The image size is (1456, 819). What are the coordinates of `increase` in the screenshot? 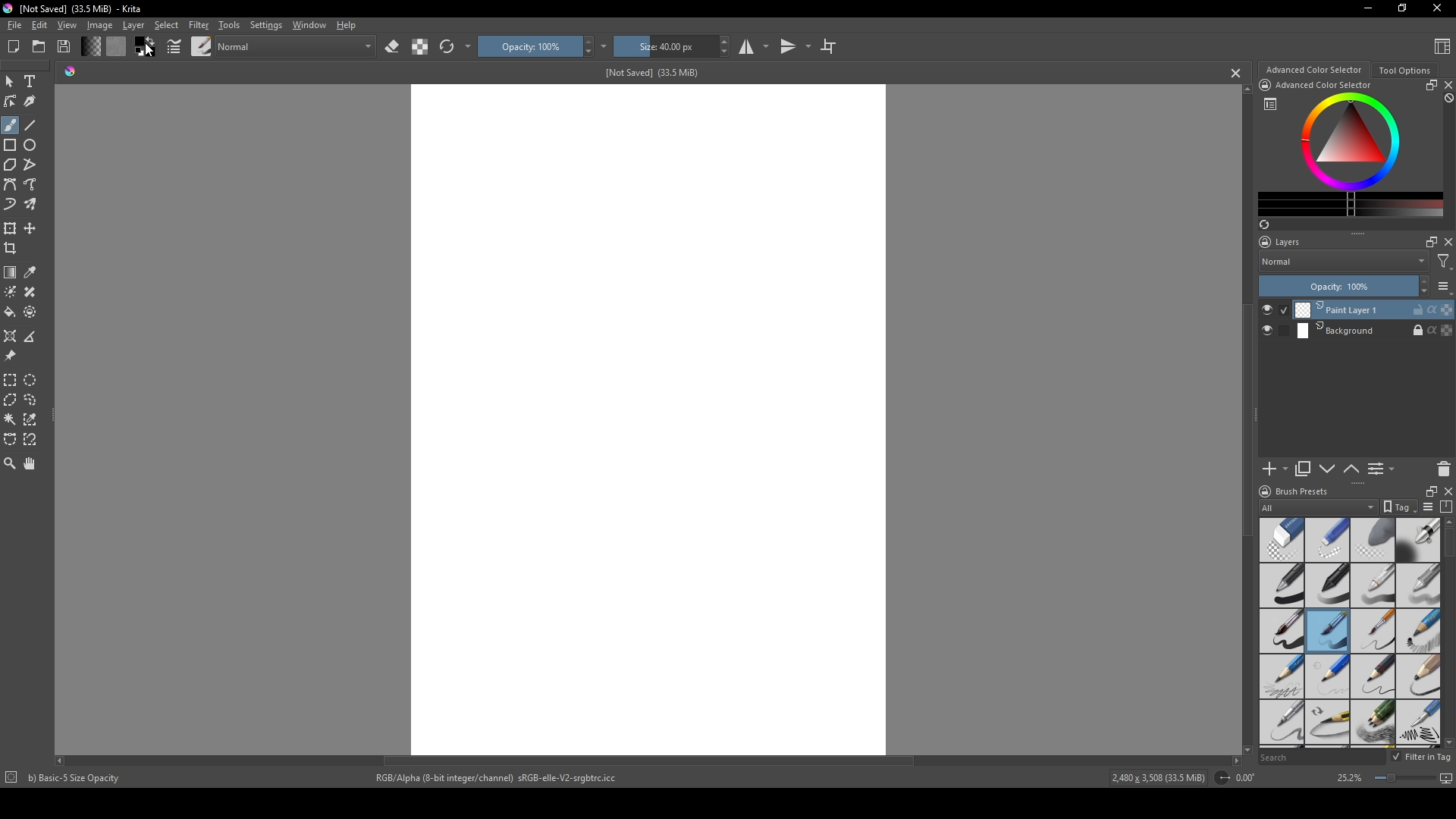 It's located at (1423, 281).